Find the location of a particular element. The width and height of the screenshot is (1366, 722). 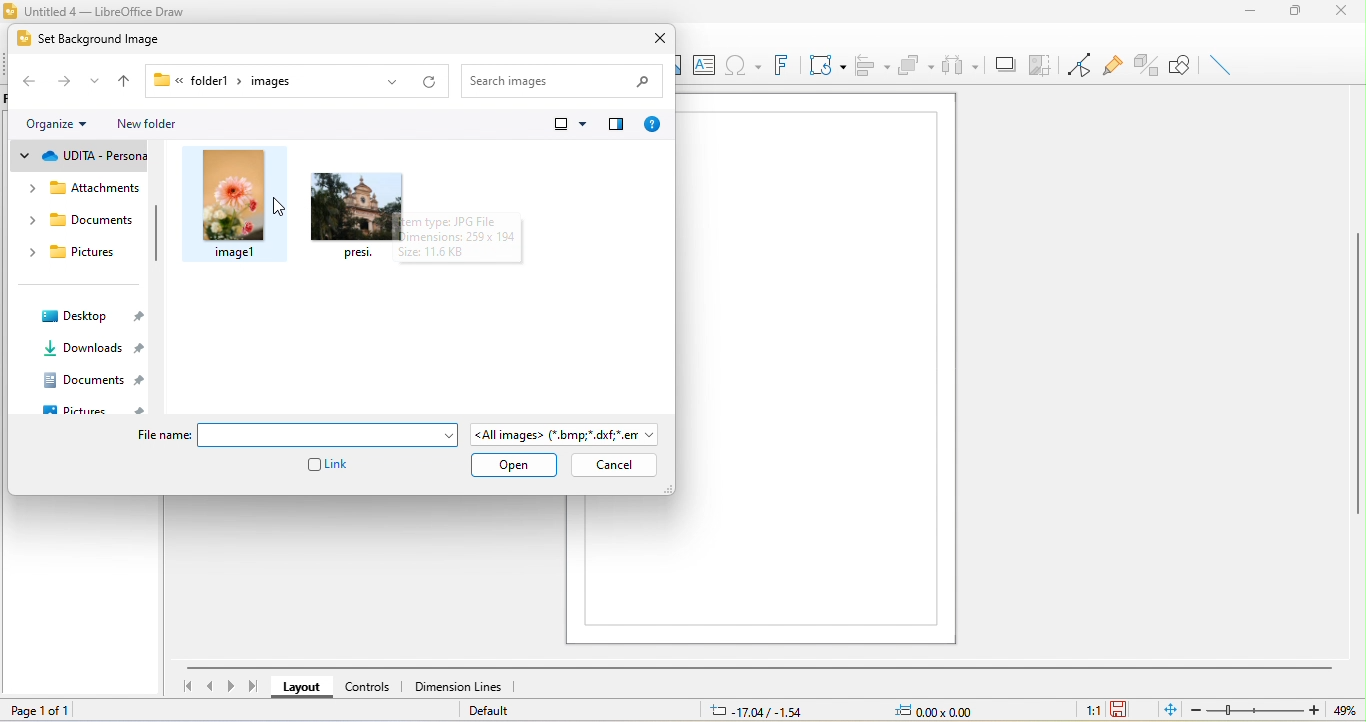

align object is located at coordinates (875, 65).